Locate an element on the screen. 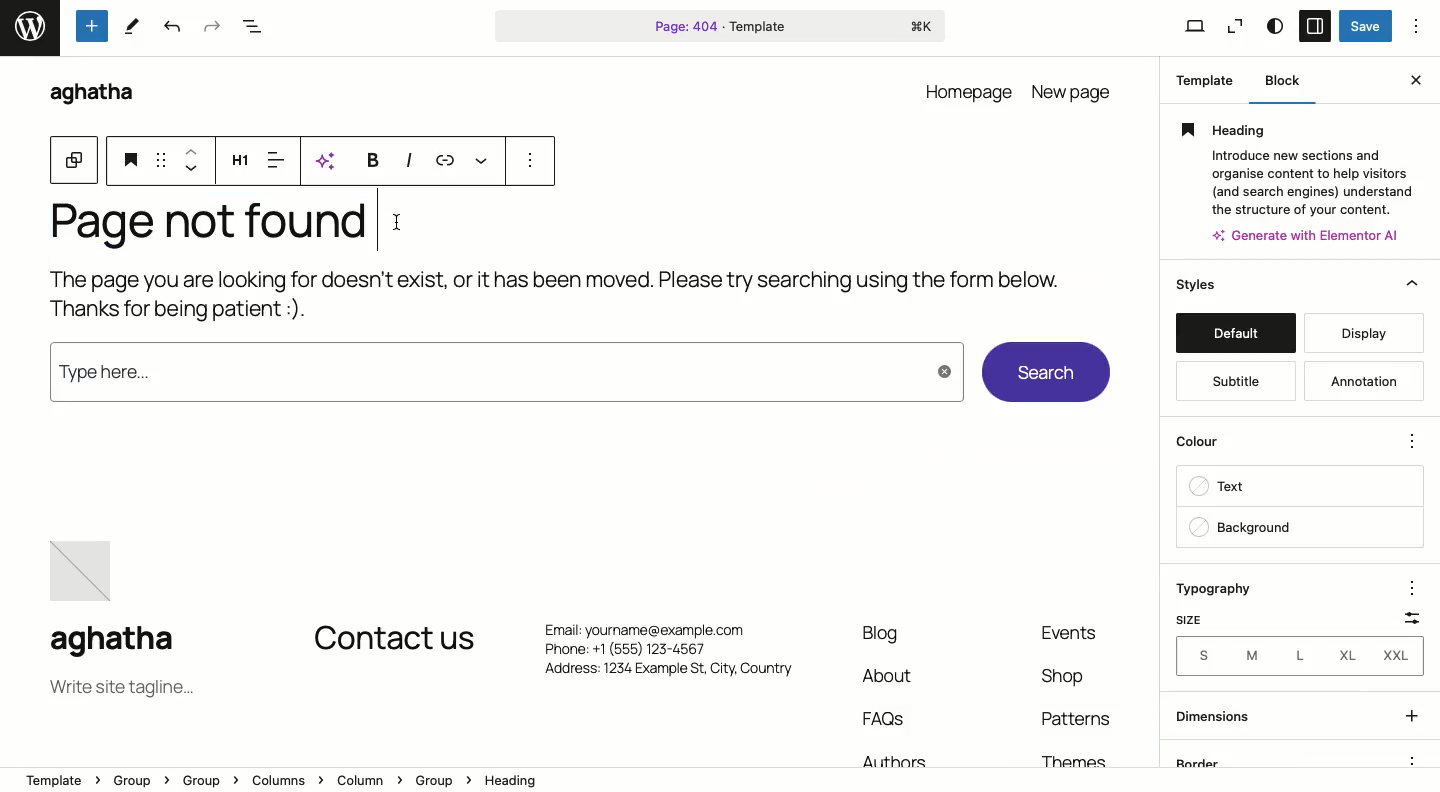  AI is located at coordinates (327, 160).